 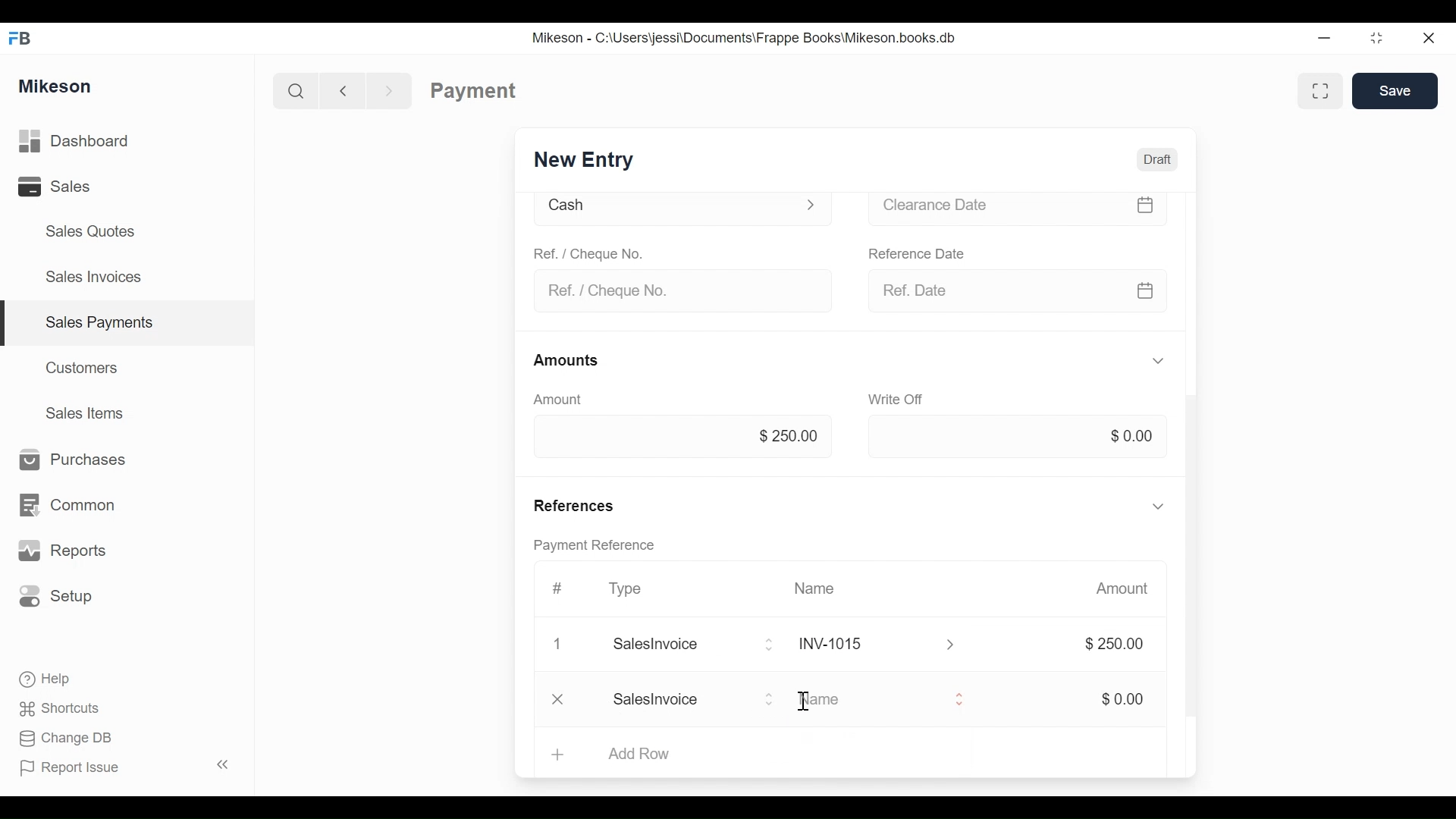 What do you see at coordinates (637, 755) in the screenshot?
I see `Add Row` at bounding box center [637, 755].